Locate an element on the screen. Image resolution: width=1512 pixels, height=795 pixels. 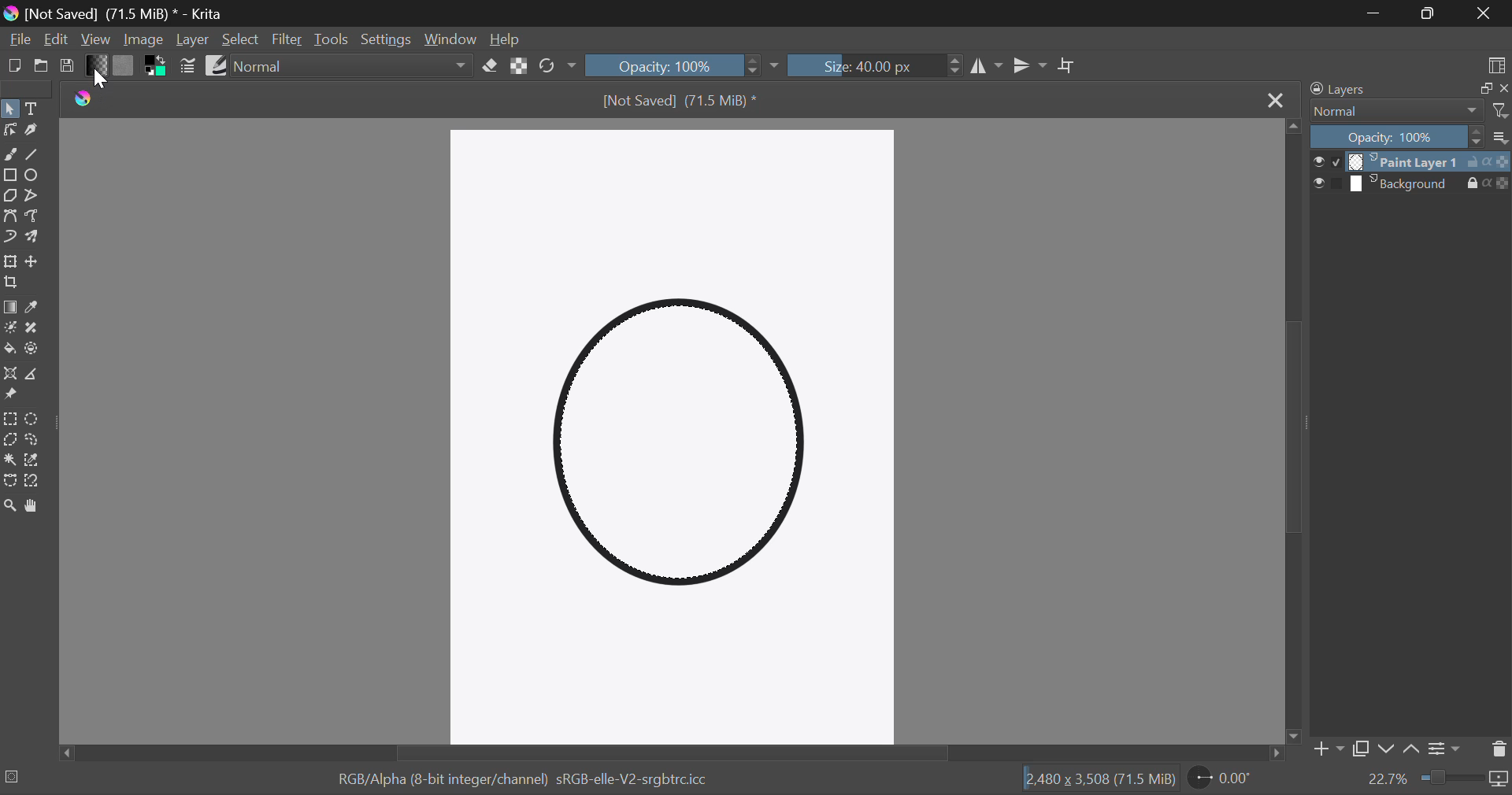
Shape Selected is located at coordinates (684, 449).